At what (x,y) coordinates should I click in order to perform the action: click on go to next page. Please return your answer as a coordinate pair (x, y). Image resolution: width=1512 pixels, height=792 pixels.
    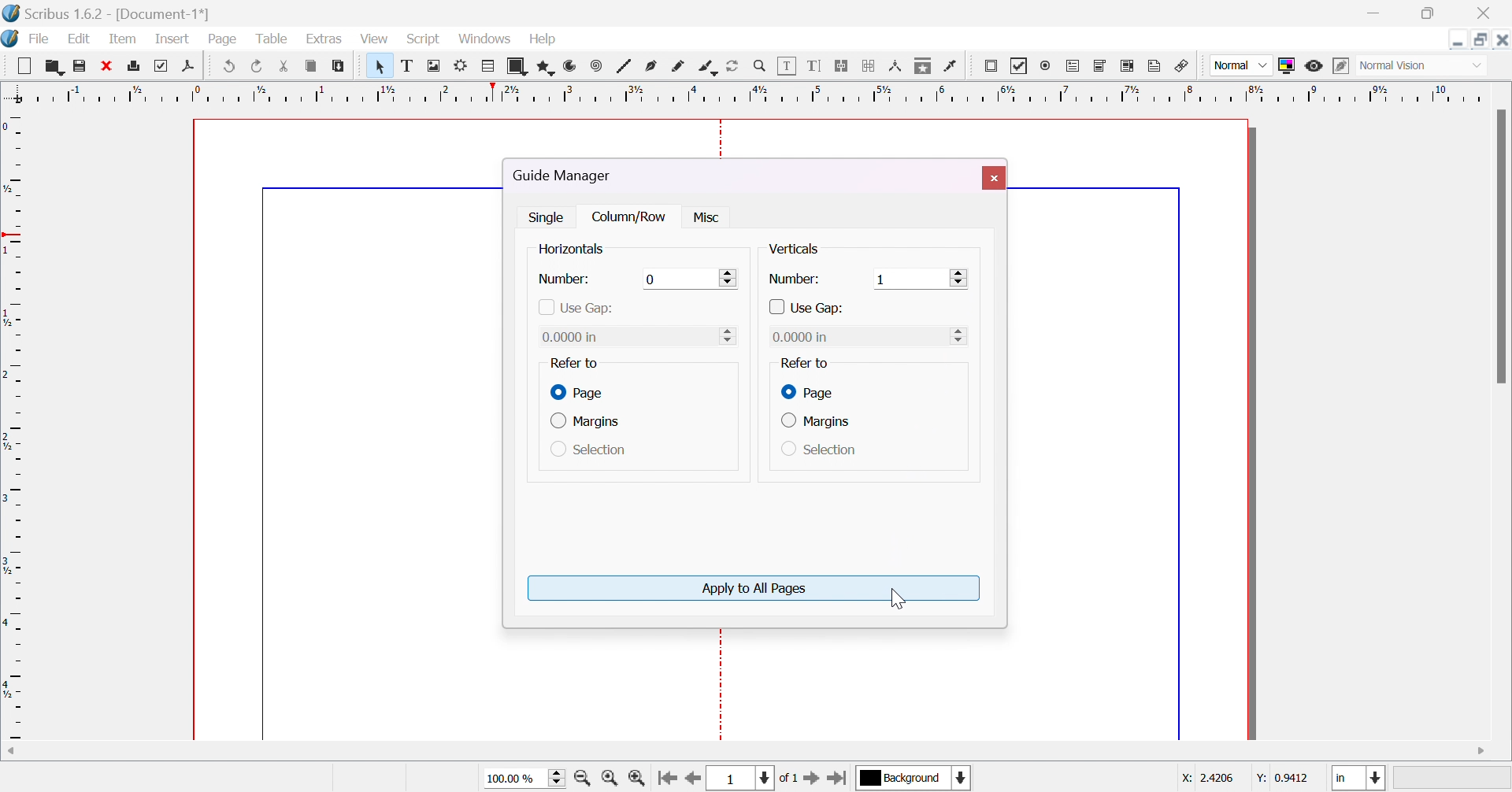
    Looking at the image, I should click on (812, 779).